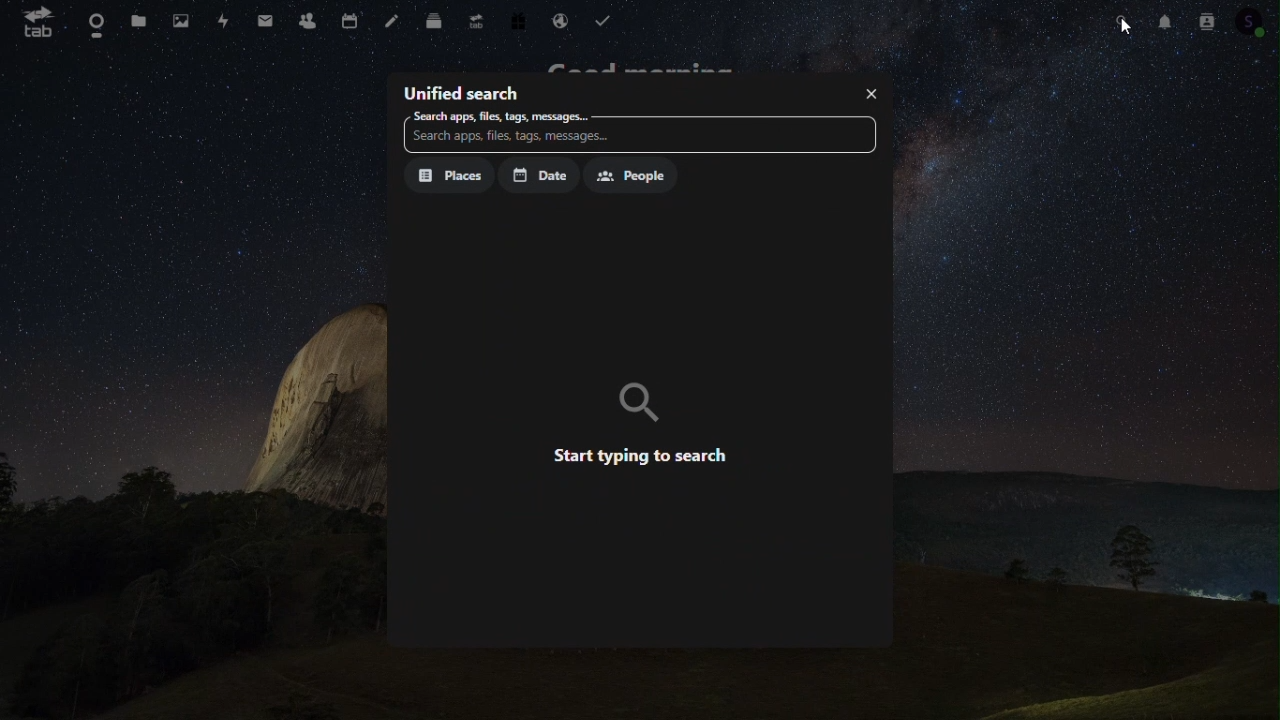  What do you see at coordinates (181, 19) in the screenshot?
I see `Photos` at bounding box center [181, 19].